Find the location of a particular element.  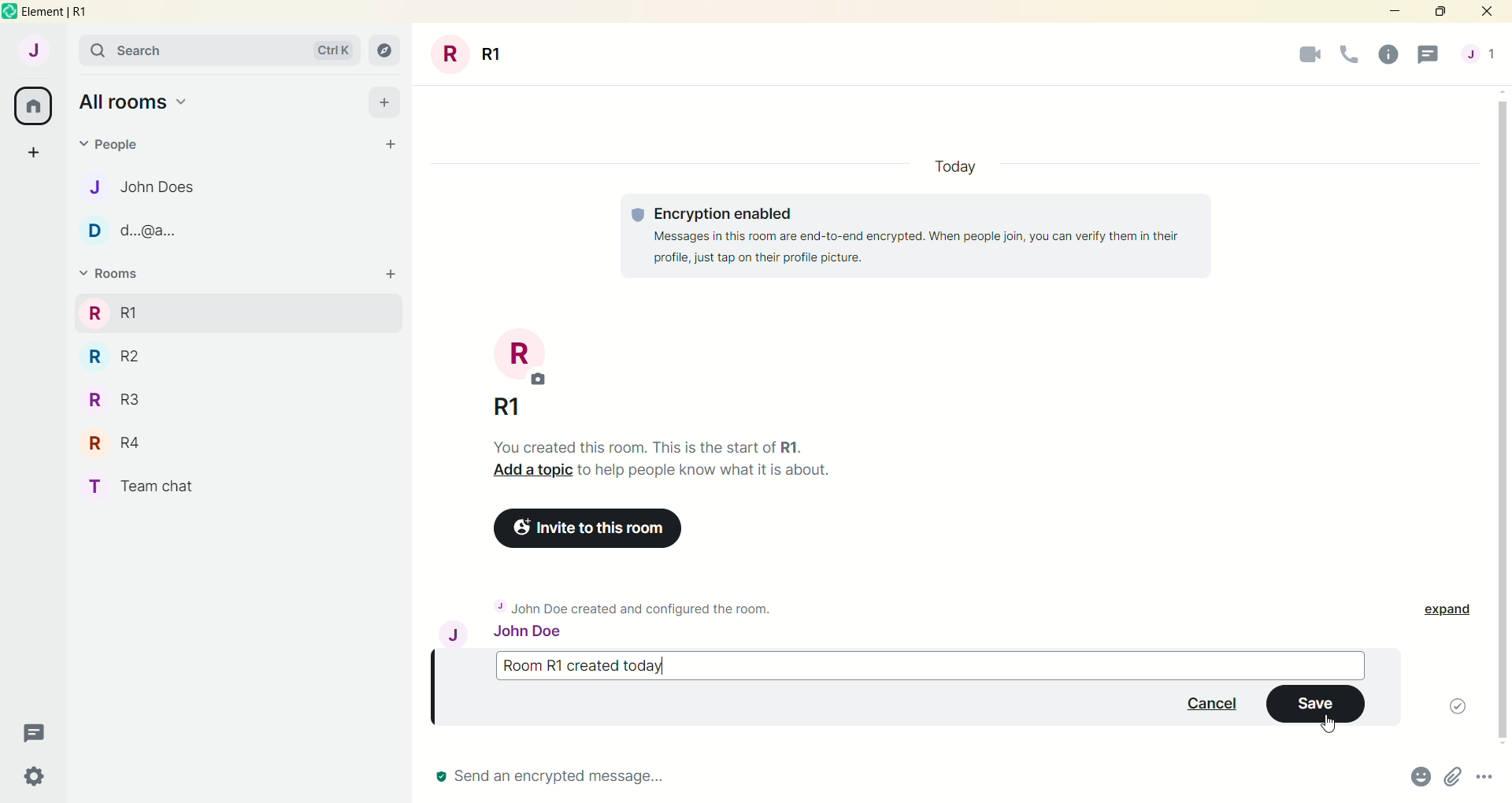

add is located at coordinates (386, 102).